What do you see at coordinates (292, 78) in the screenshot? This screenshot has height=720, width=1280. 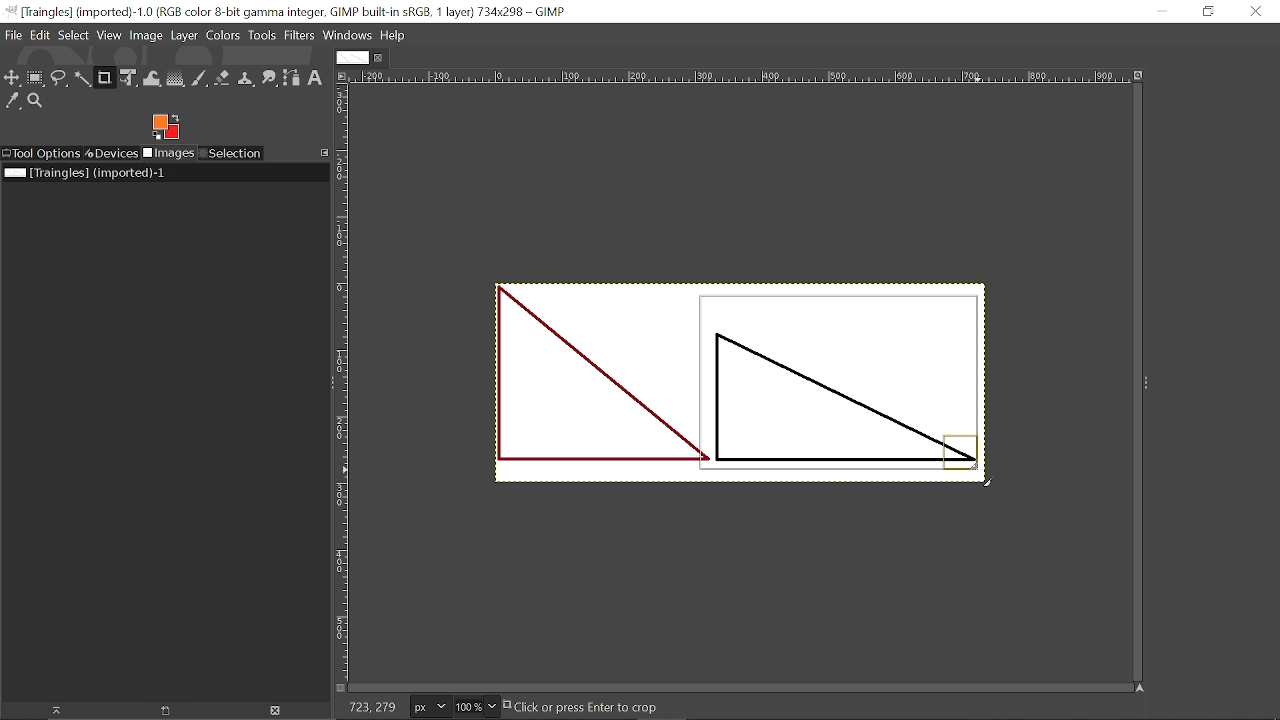 I see `Paths tool` at bounding box center [292, 78].